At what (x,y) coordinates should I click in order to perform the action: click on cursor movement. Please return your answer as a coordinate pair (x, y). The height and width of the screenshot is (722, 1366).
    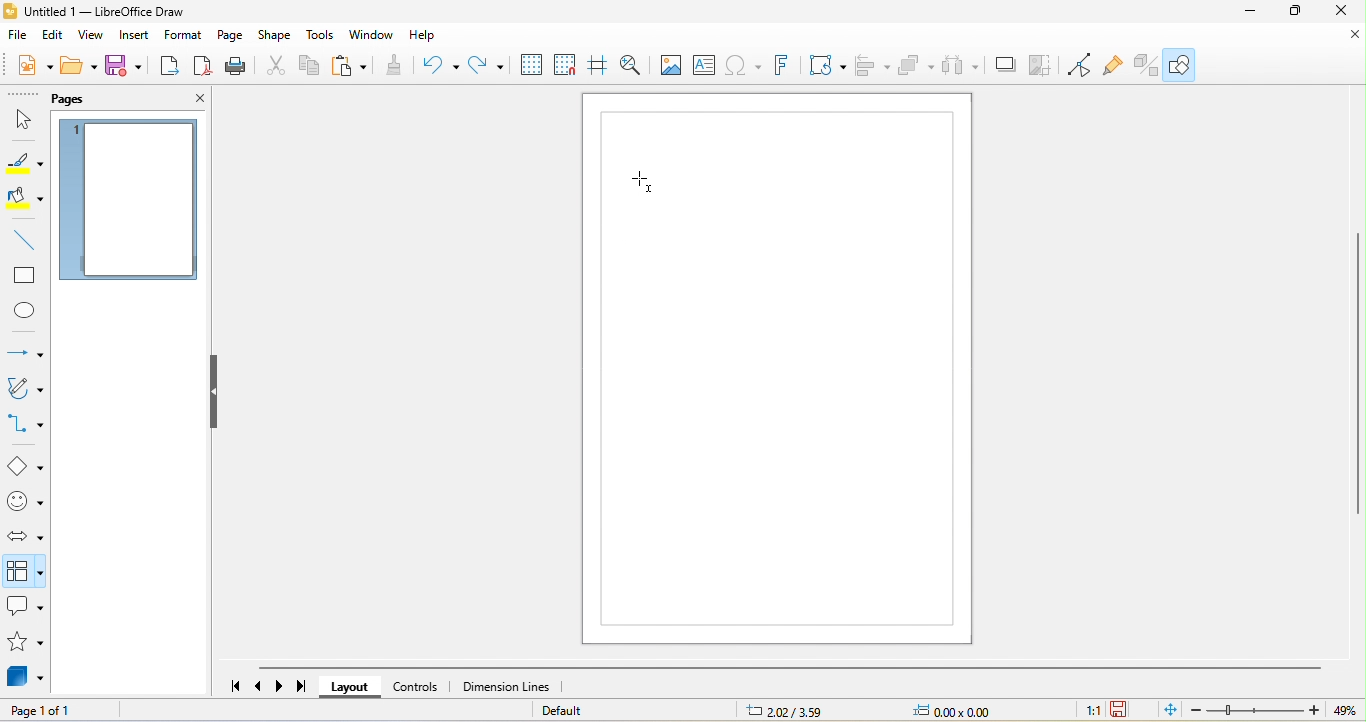
    Looking at the image, I should click on (642, 180).